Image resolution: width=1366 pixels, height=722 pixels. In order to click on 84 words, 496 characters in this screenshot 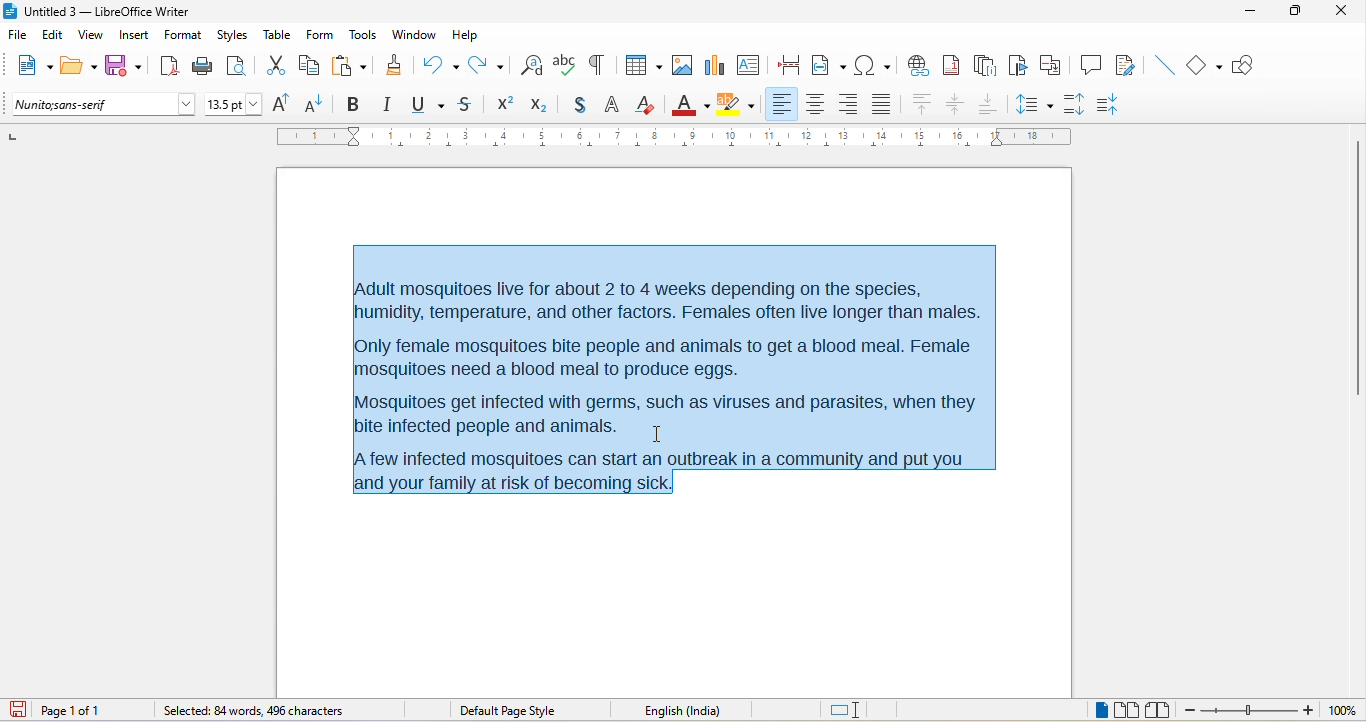, I will do `click(251, 712)`.